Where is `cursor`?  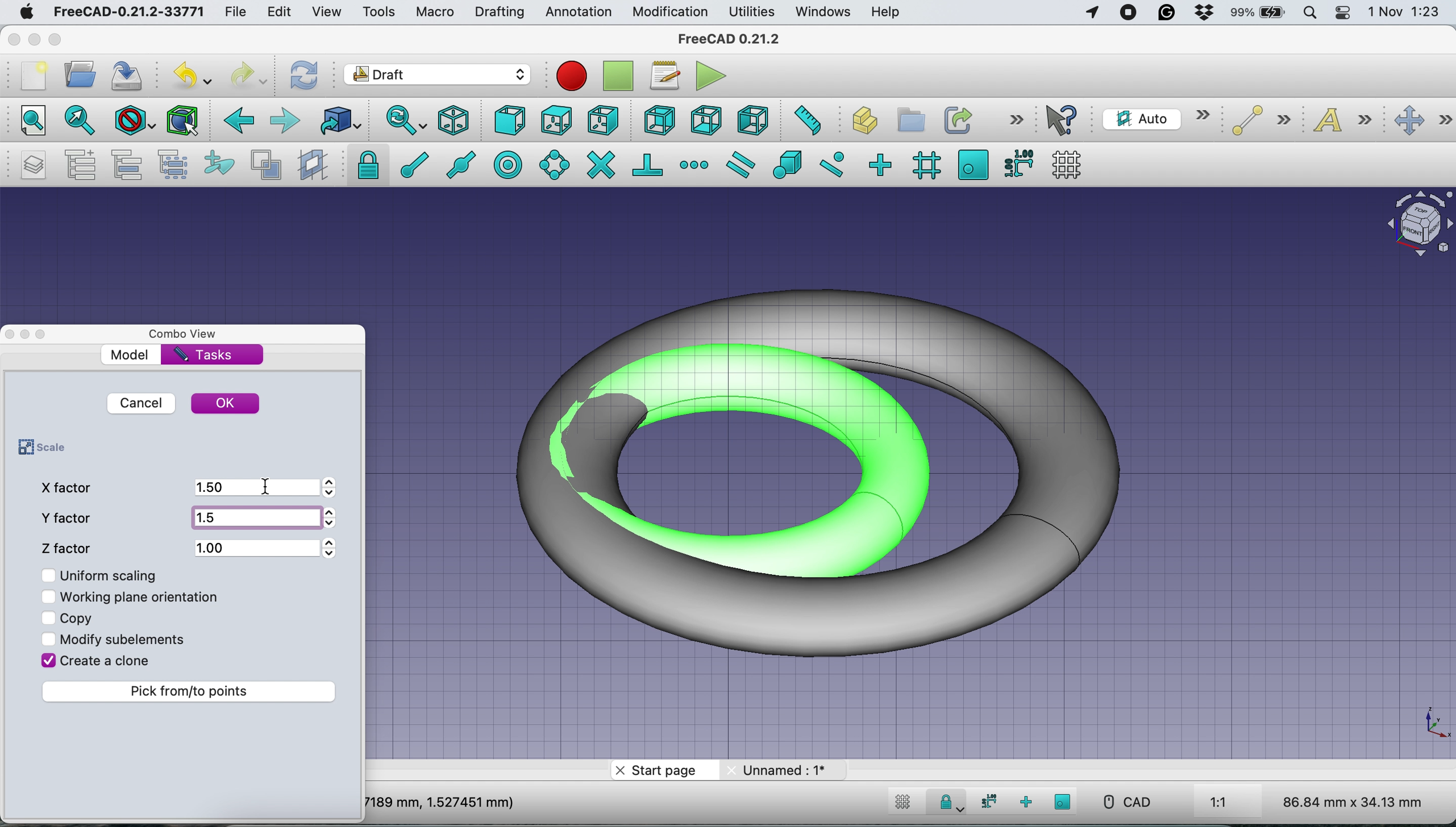
cursor is located at coordinates (269, 486).